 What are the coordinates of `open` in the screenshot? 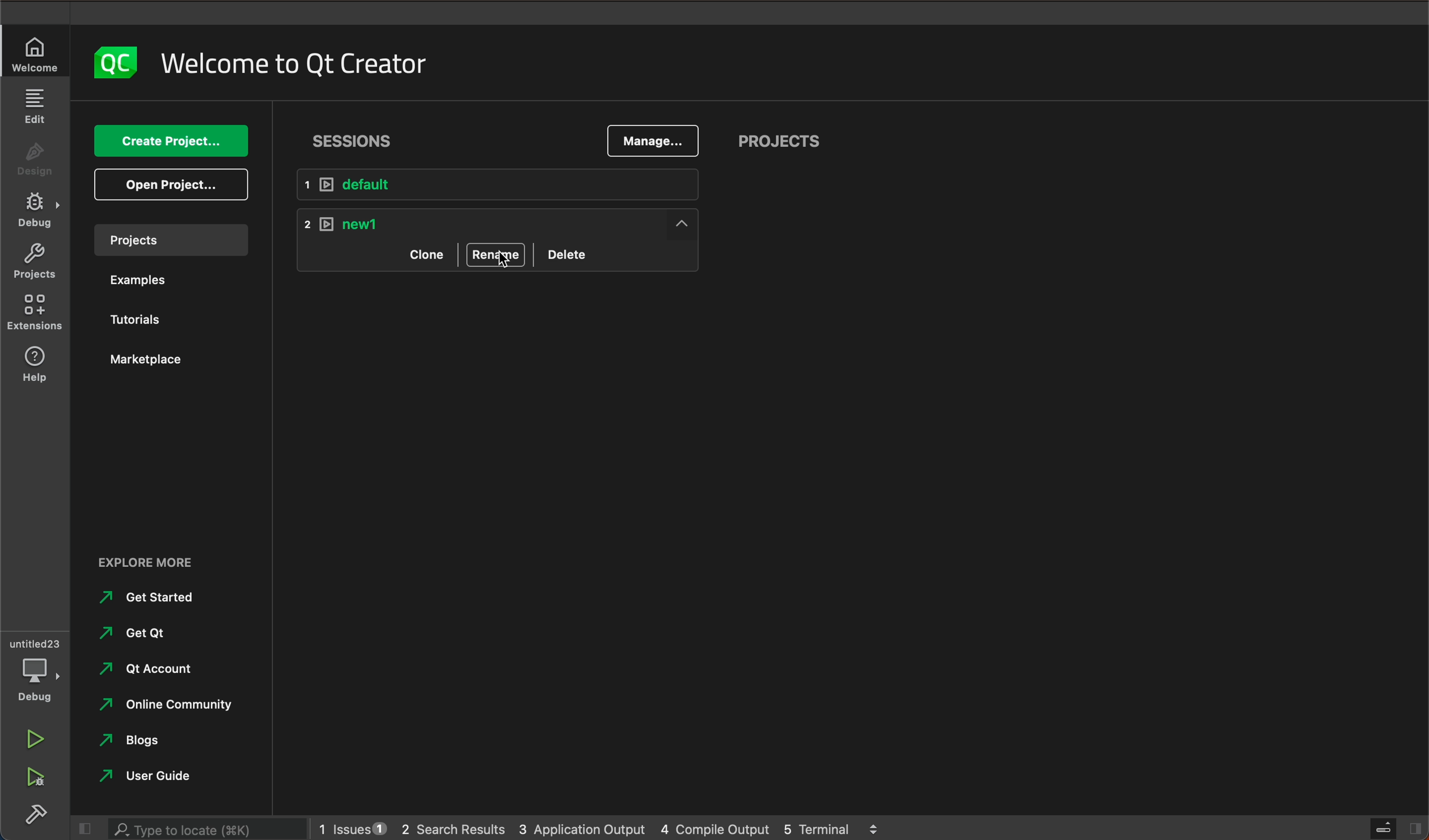 It's located at (172, 184).